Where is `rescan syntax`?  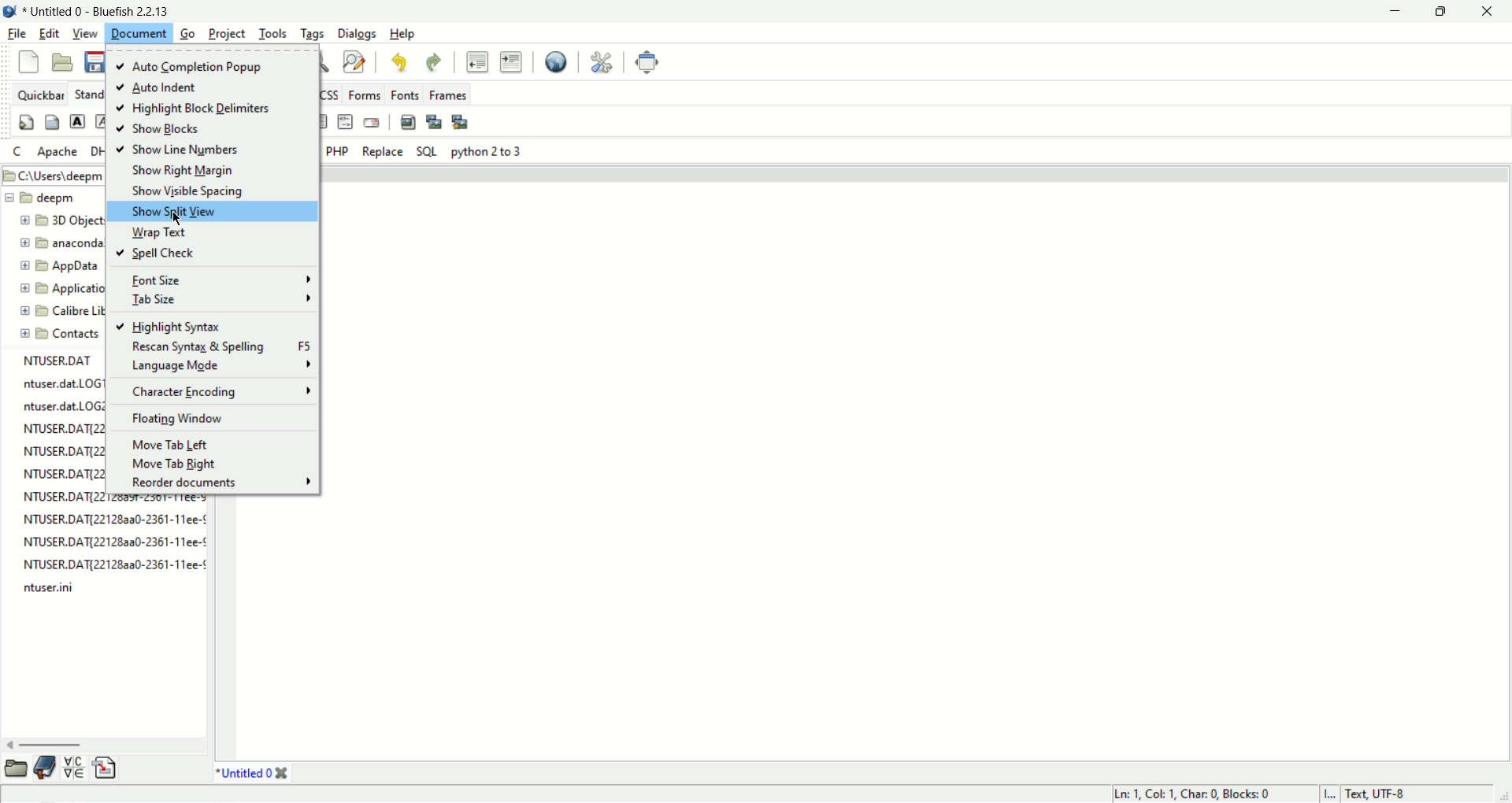 rescan syntax is located at coordinates (212, 348).